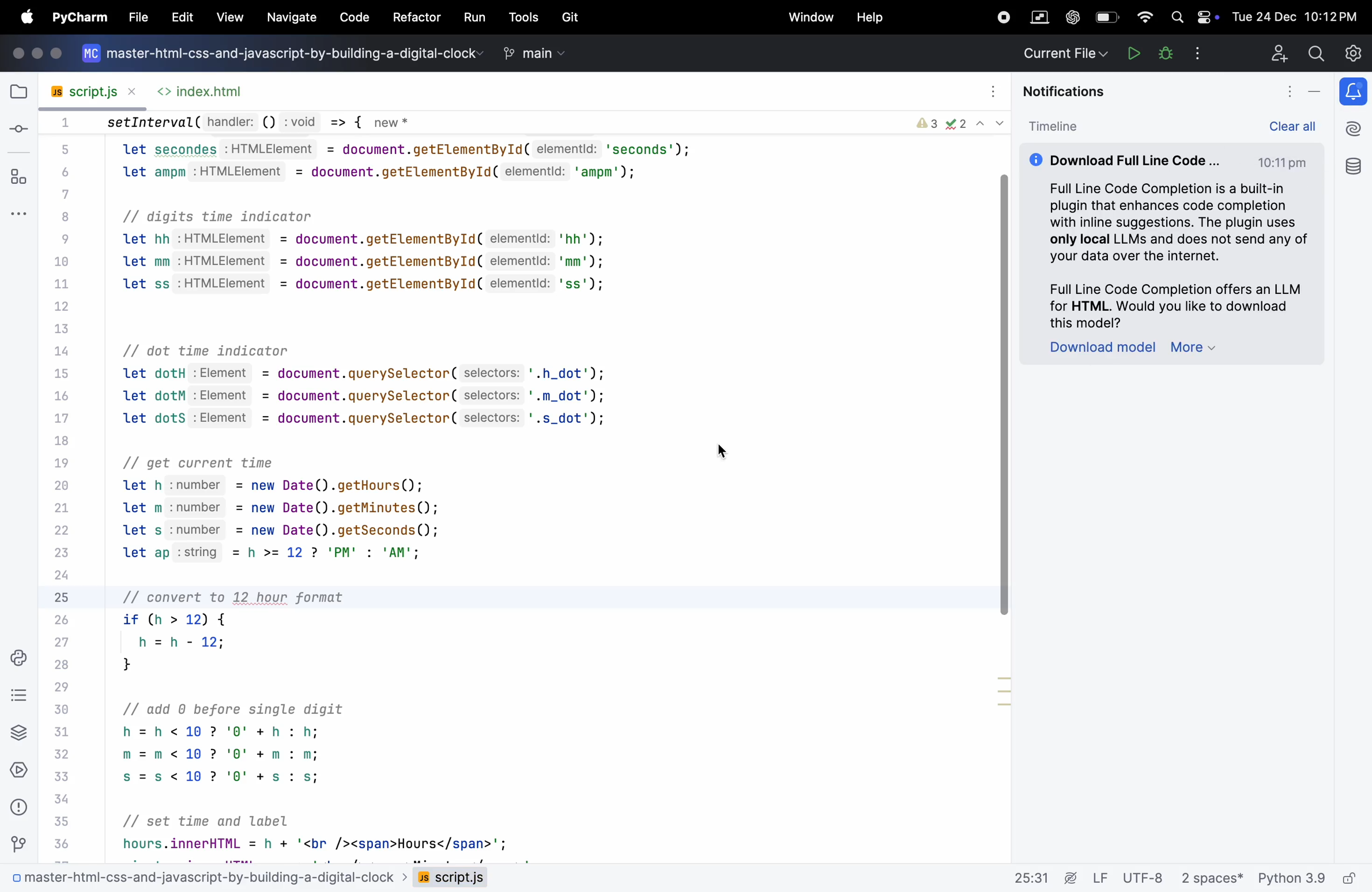 This screenshot has height=892, width=1372. I want to click on notifications, so click(1277, 91).